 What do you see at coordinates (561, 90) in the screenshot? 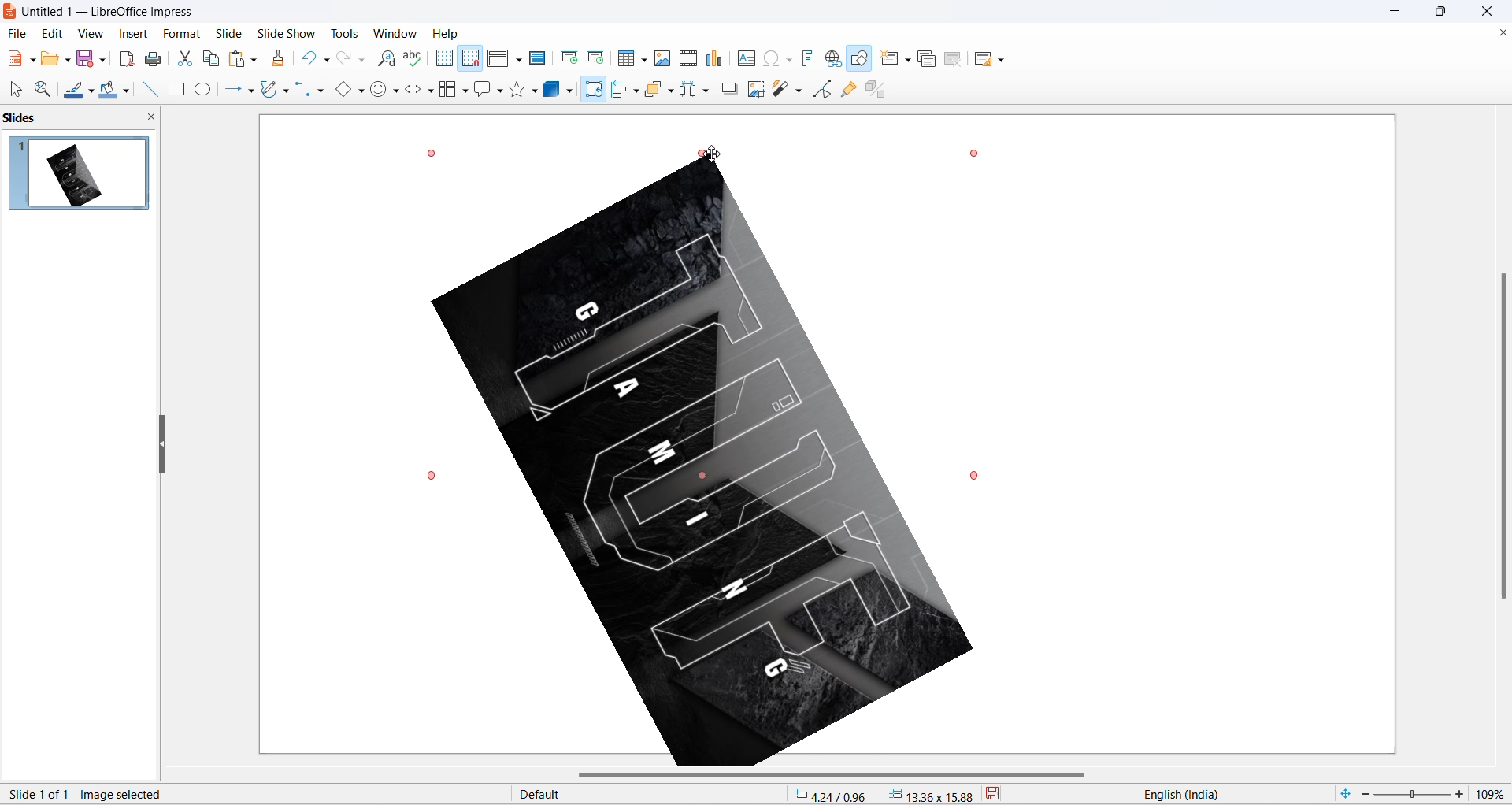
I see `3d object` at bounding box center [561, 90].